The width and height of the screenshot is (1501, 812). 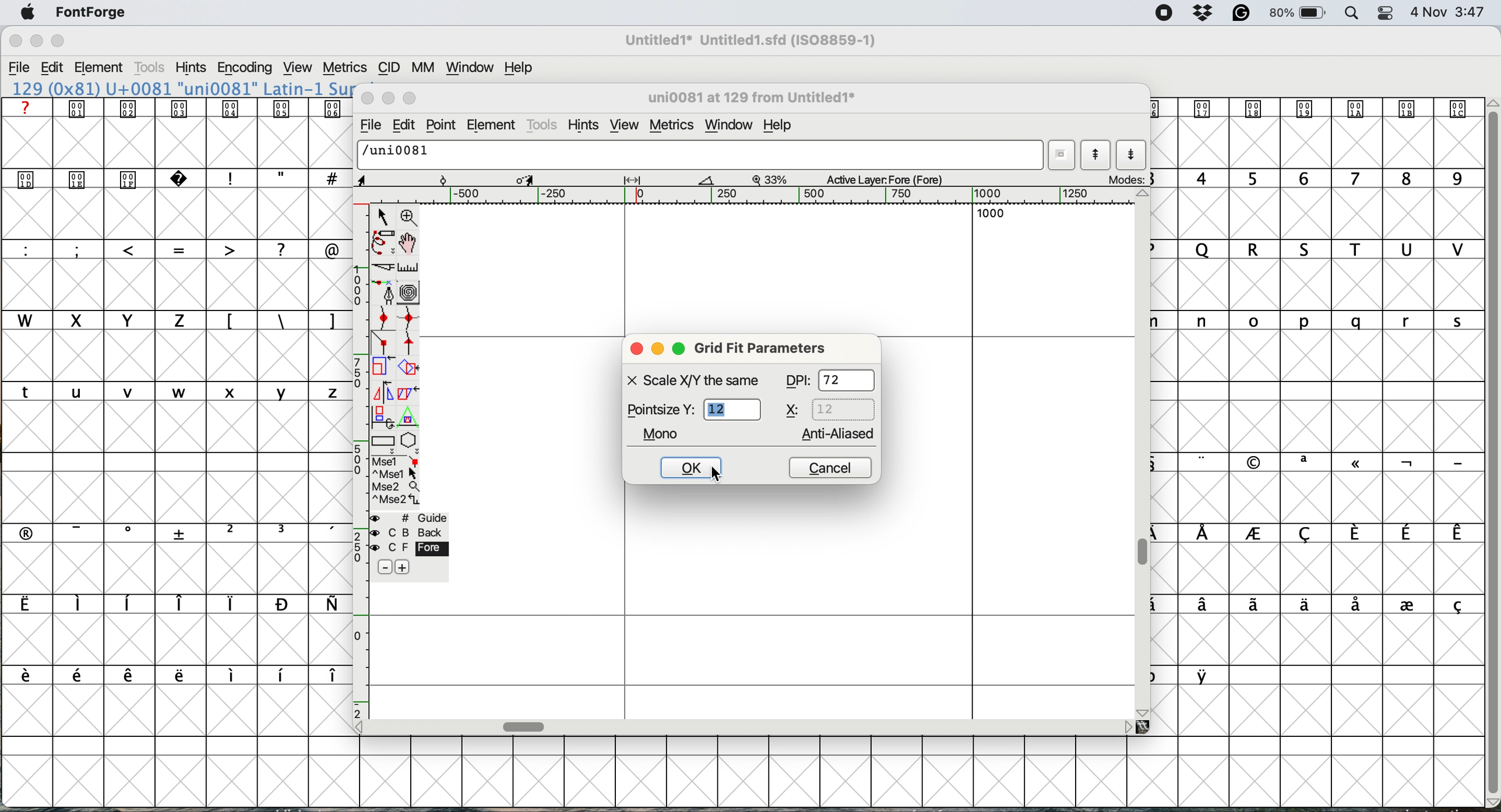 What do you see at coordinates (151, 67) in the screenshot?
I see `Tools` at bounding box center [151, 67].